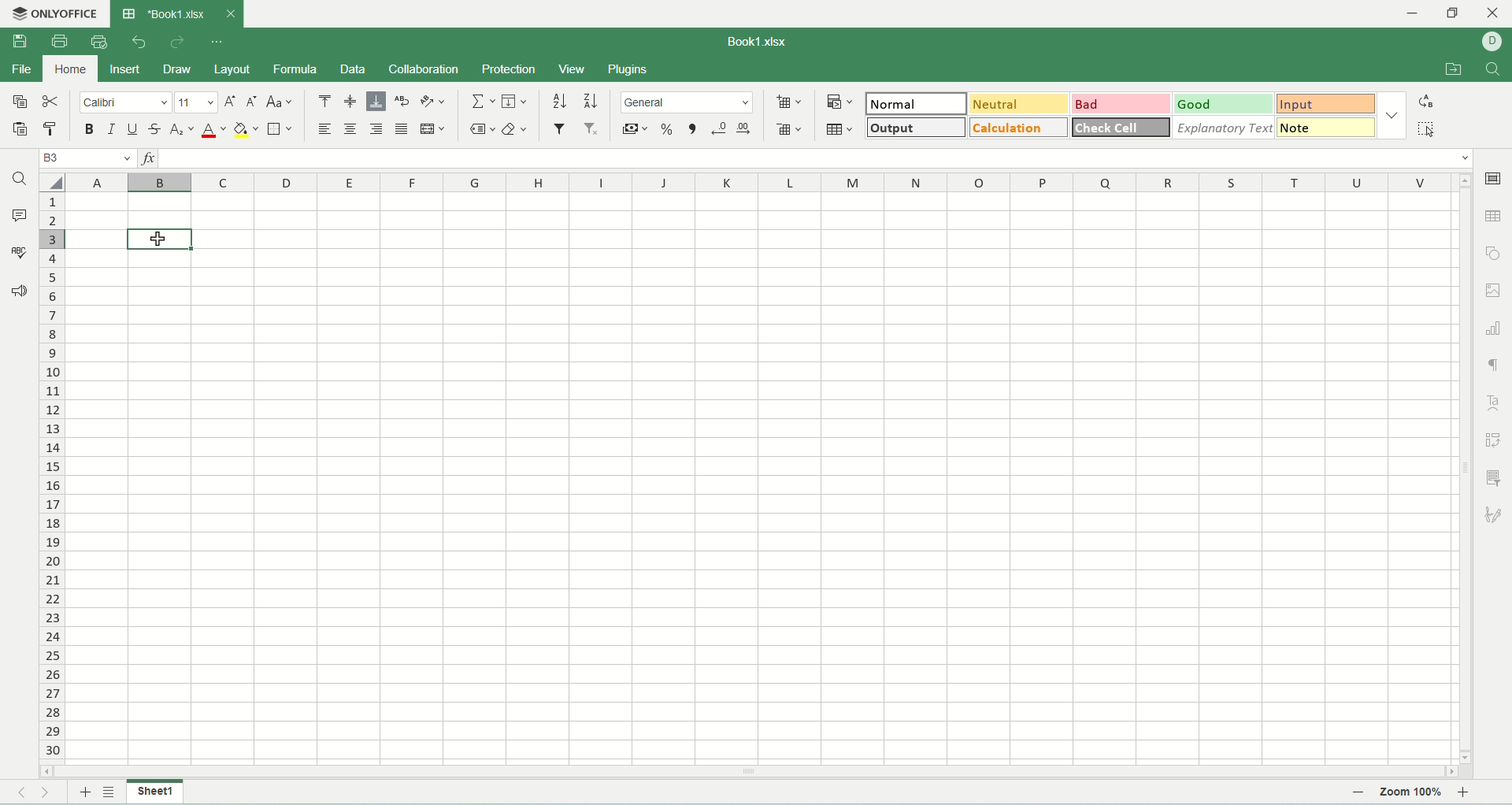 The height and width of the screenshot is (805, 1512). I want to click on insert function, so click(146, 157).